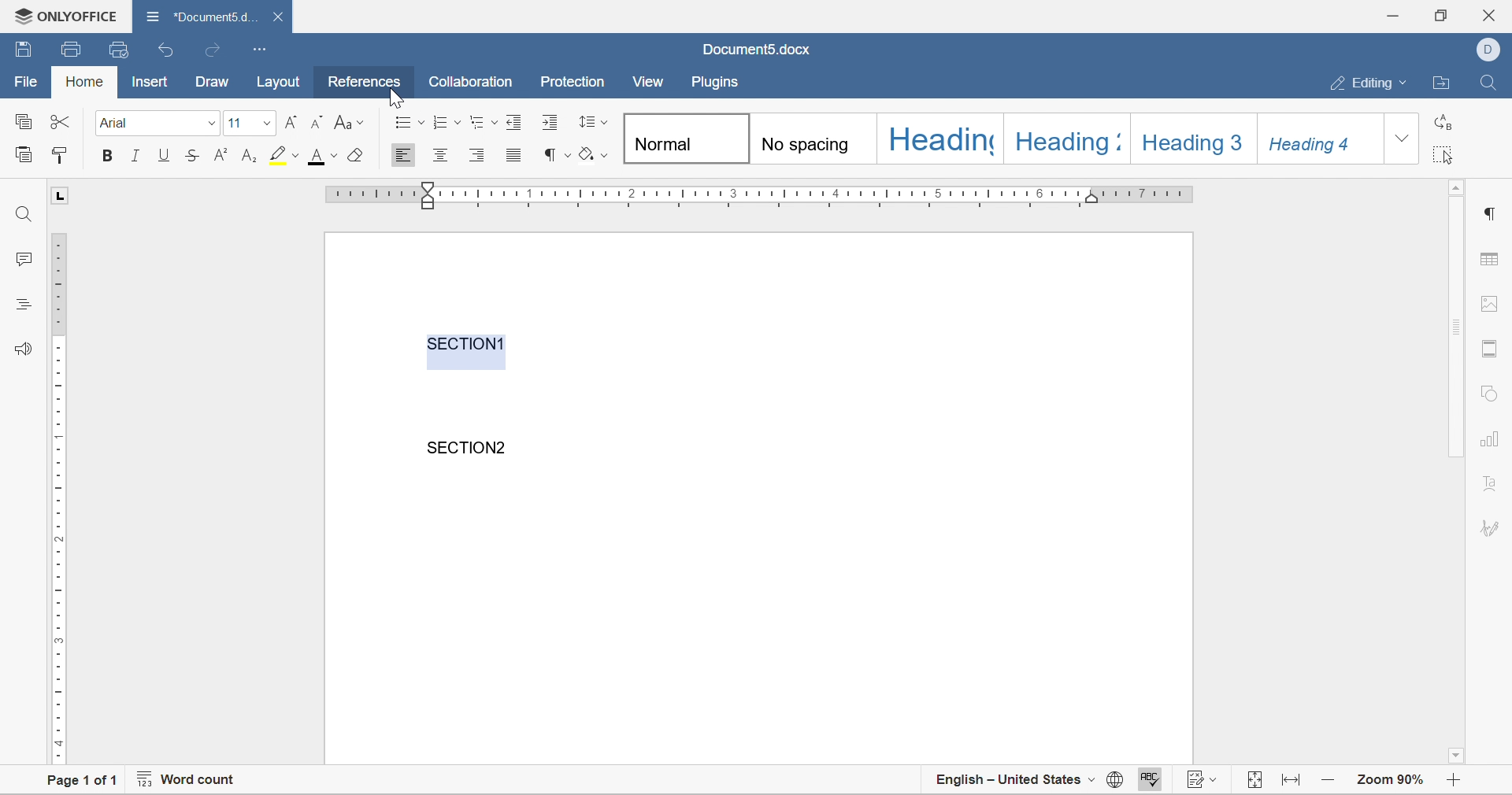 Image resolution: width=1512 pixels, height=795 pixels. Describe the element at coordinates (1402, 139) in the screenshot. I see `drop down` at that location.